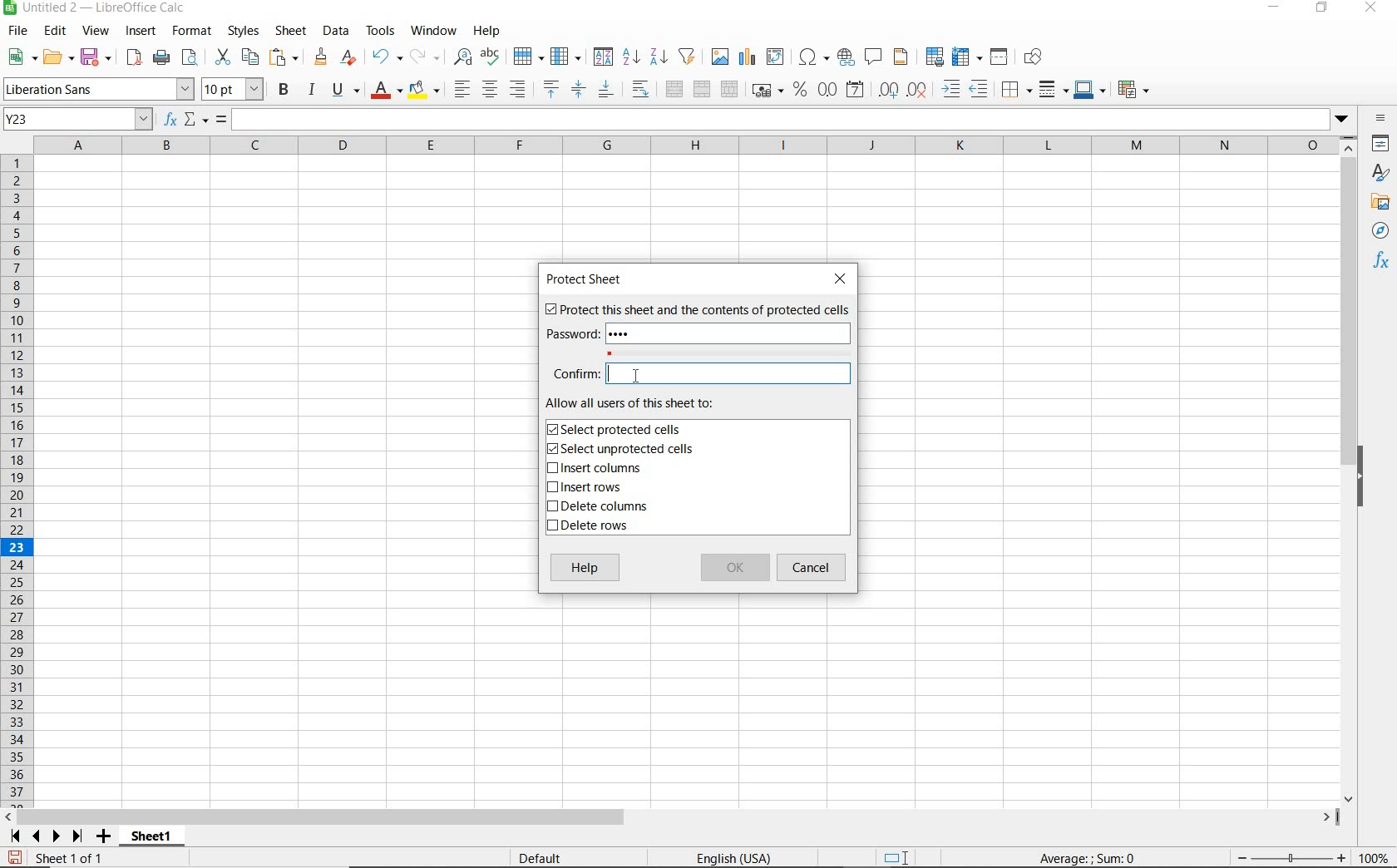 Image resolution: width=1397 pixels, height=868 pixels. What do you see at coordinates (1088, 859) in the screenshot?
I see `FORMULA` at bounding box center [1088, 859].